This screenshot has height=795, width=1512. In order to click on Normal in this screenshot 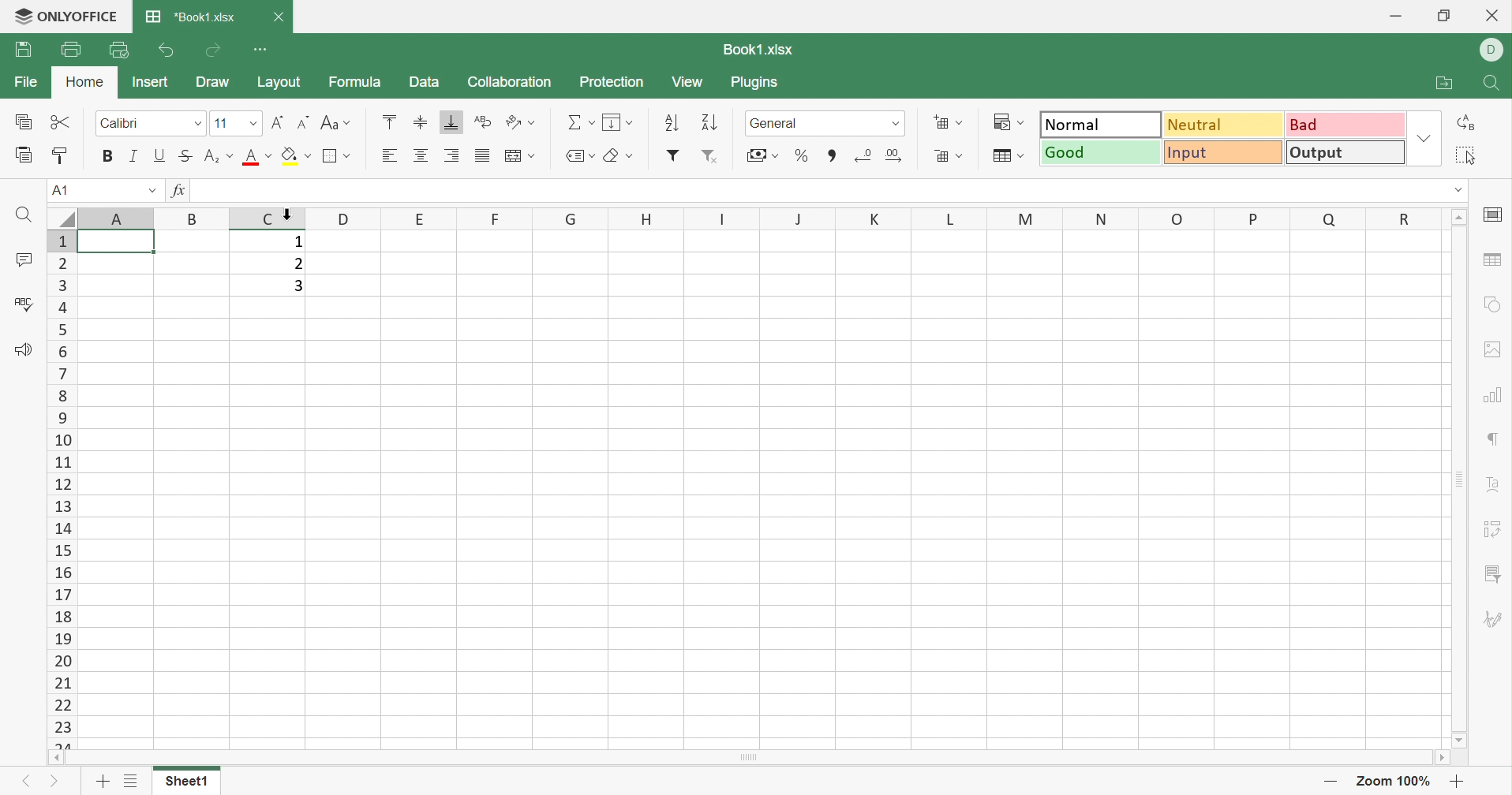, I will do `click(1100, 124)`.